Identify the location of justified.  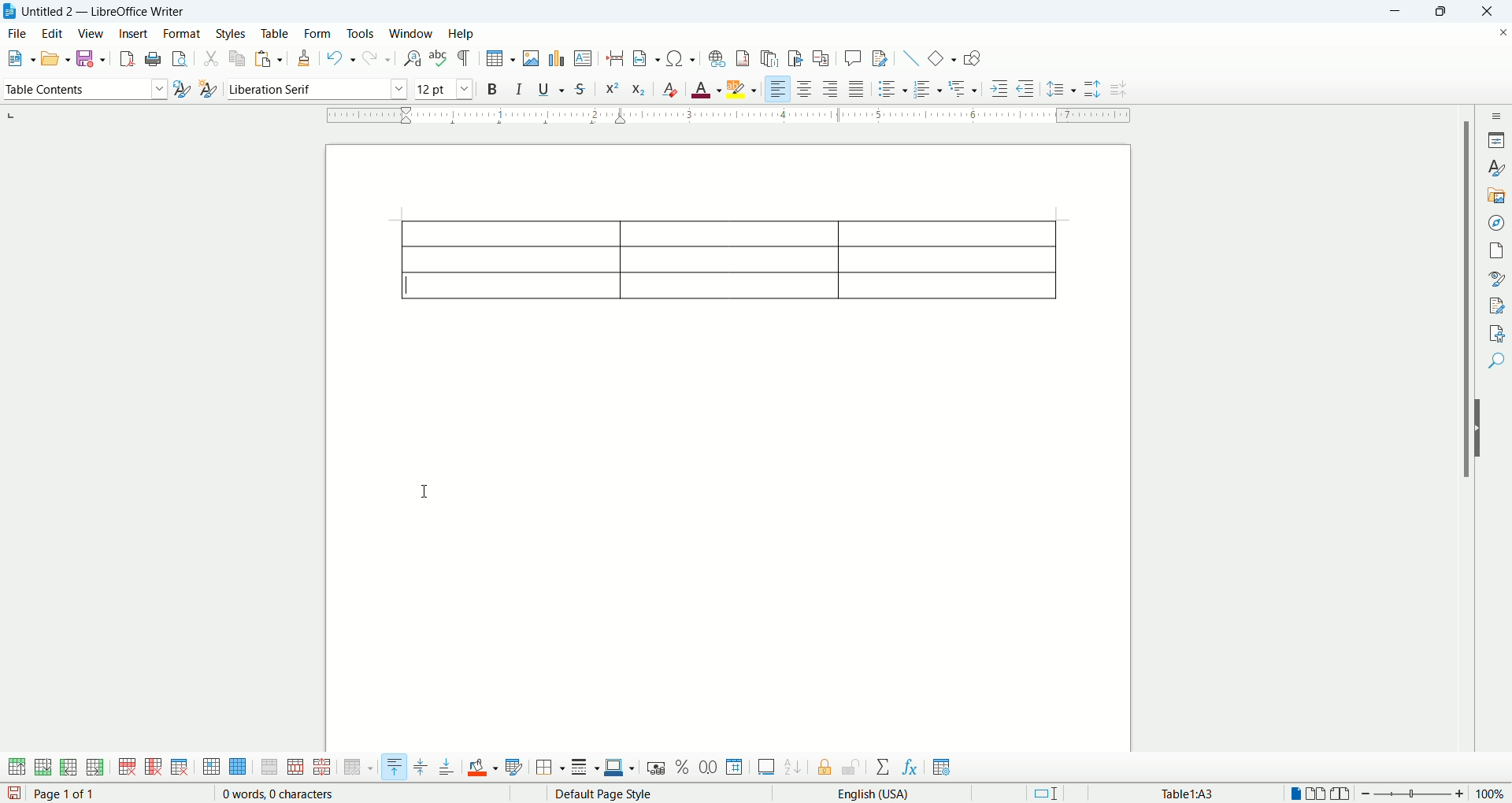
(858, 88).